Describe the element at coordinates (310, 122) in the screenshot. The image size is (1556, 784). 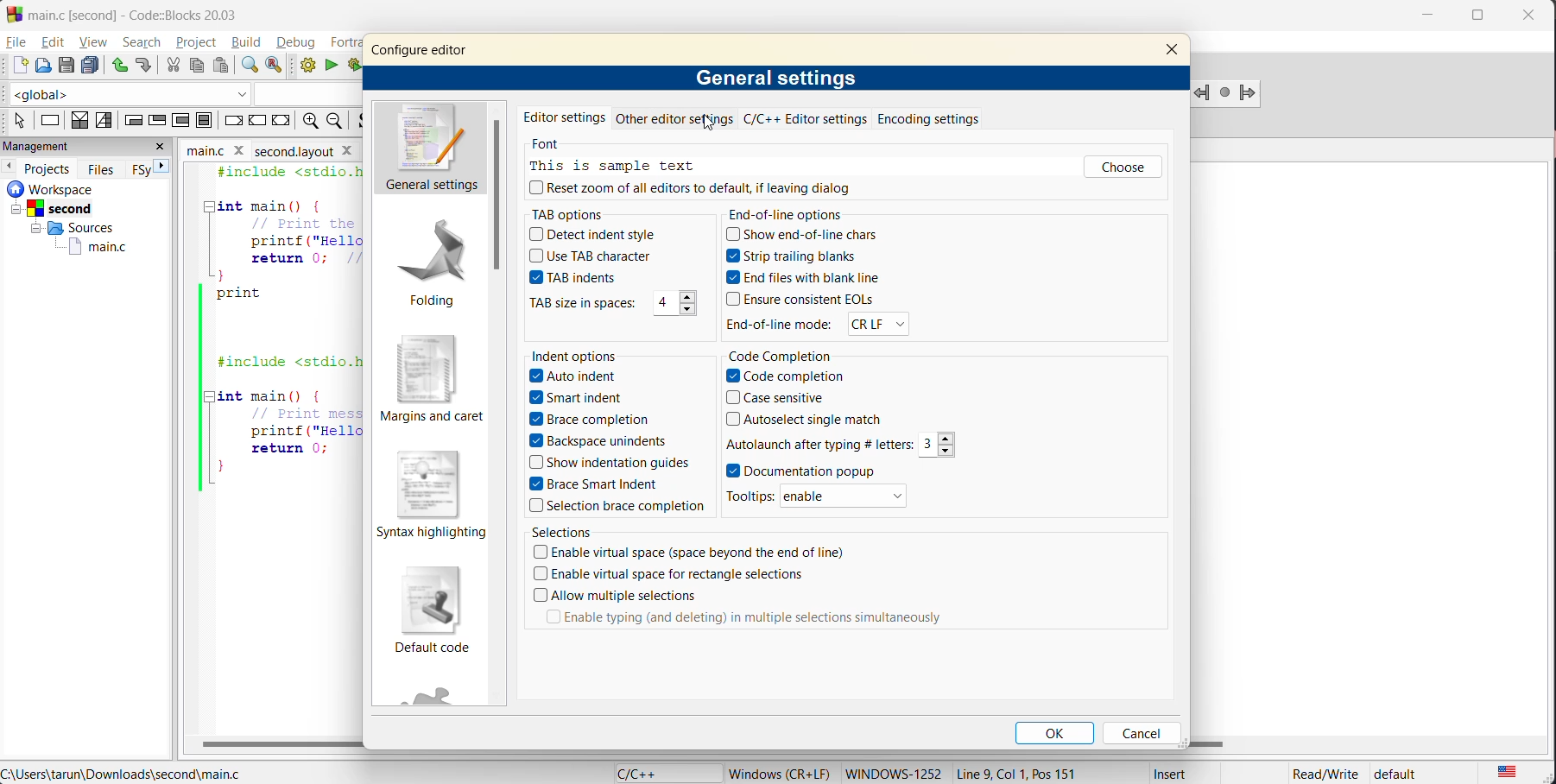
I see `zoom out` at that location.